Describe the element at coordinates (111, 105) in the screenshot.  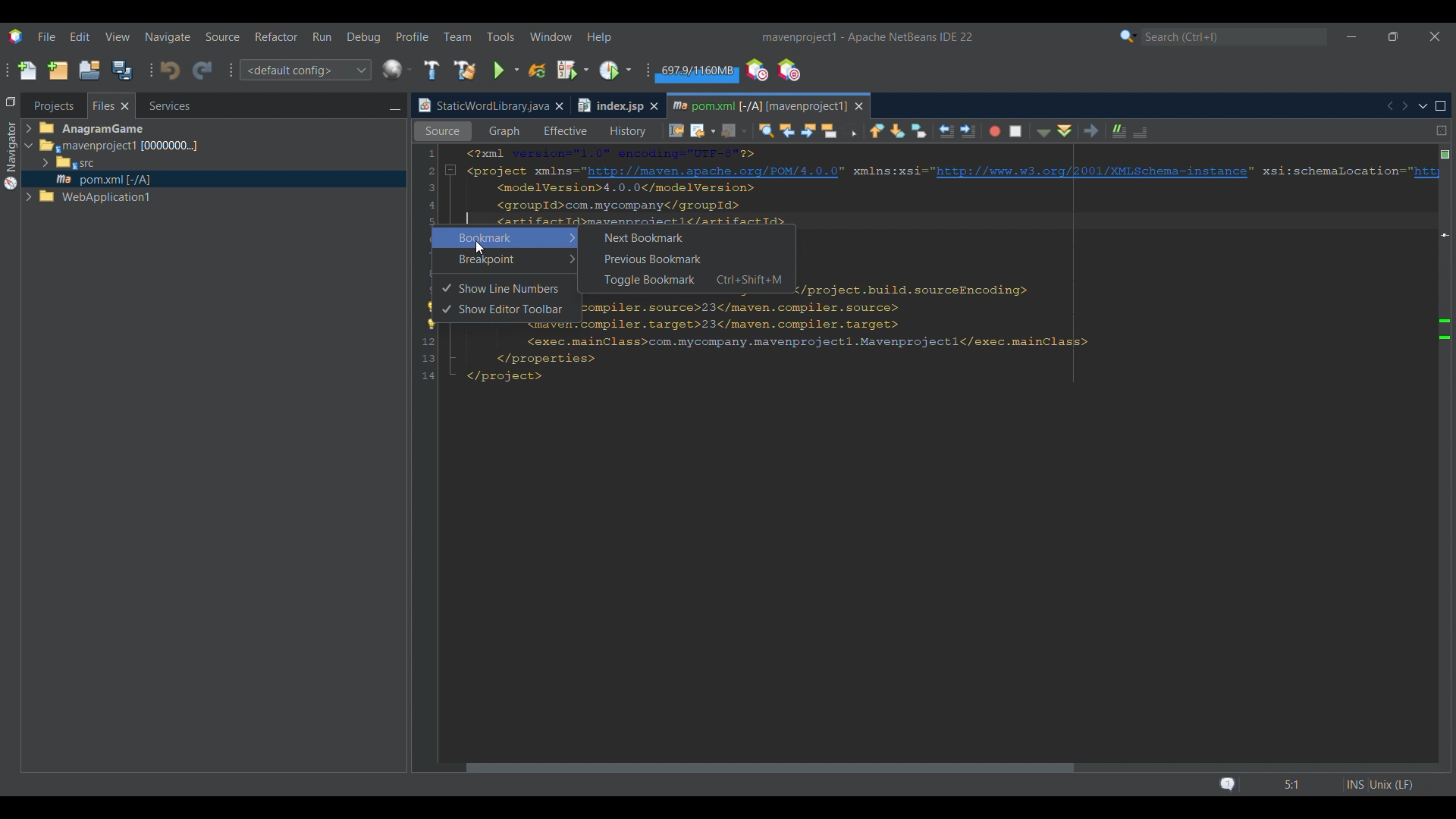
I see `Current selection highlighted` at that location.